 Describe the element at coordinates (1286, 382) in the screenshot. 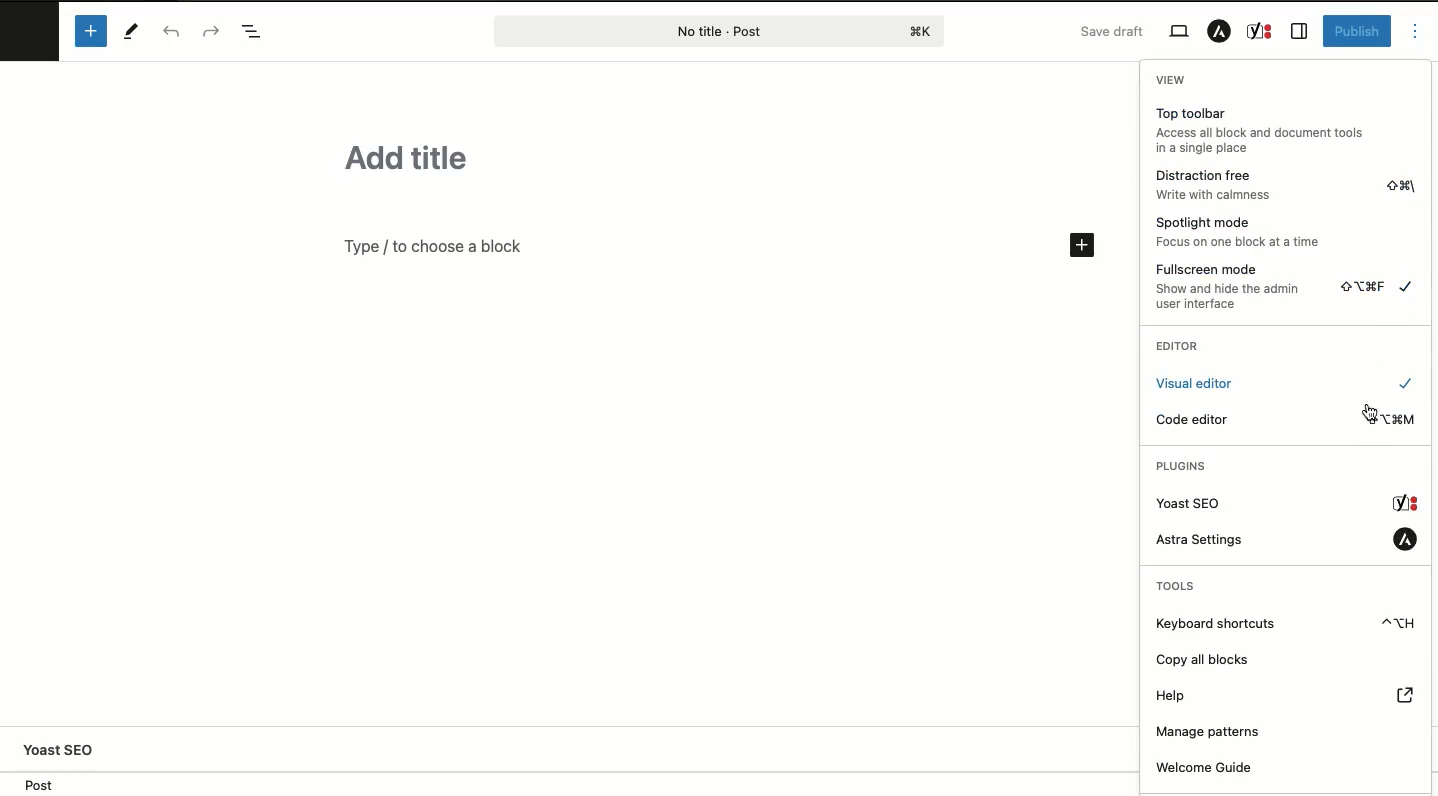

I see `Visual editor` at that location.